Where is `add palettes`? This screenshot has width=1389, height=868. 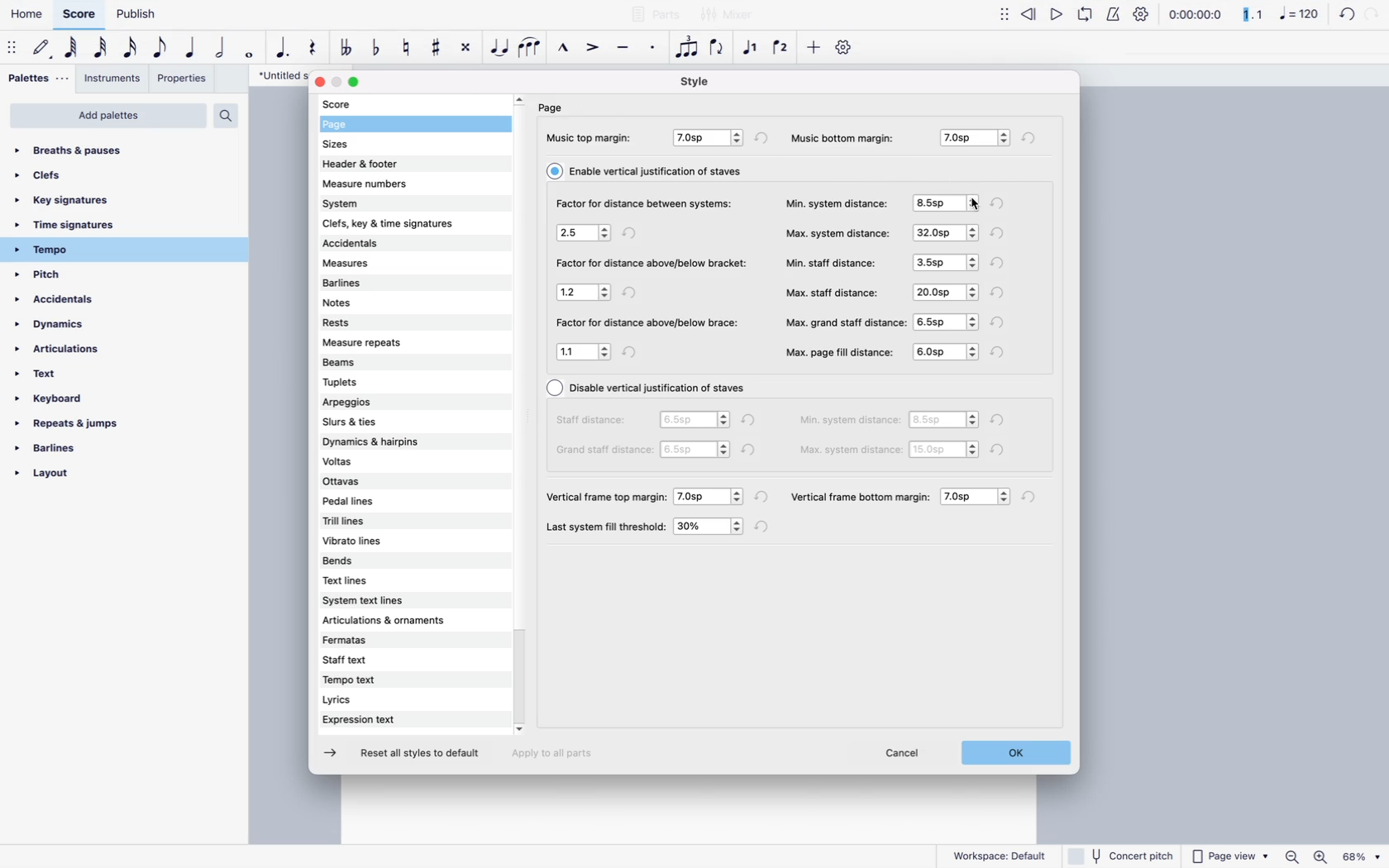
add palettes is located at coordinates (108, 116).